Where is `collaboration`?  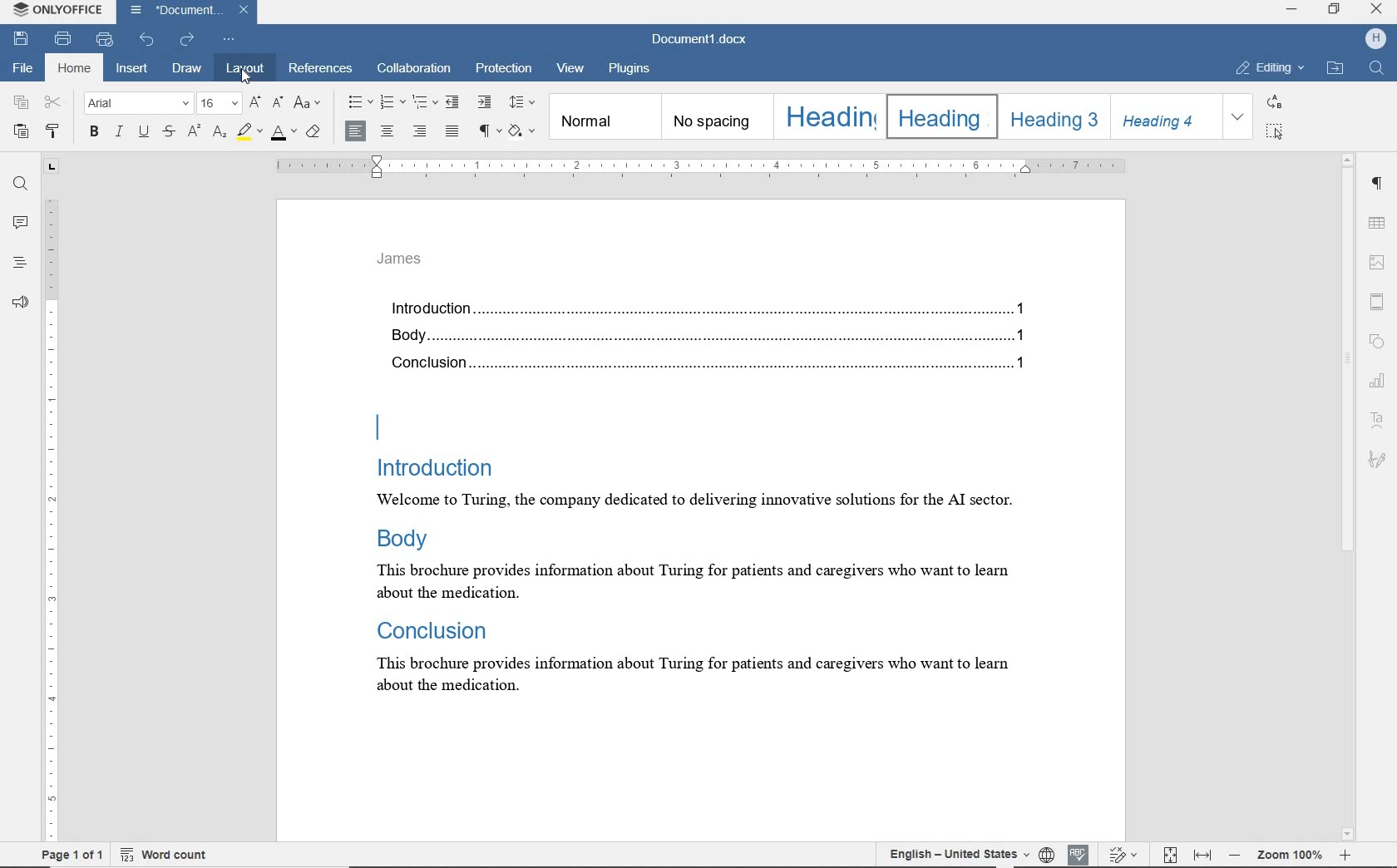
collaboration is located at coordinates (415, 70).